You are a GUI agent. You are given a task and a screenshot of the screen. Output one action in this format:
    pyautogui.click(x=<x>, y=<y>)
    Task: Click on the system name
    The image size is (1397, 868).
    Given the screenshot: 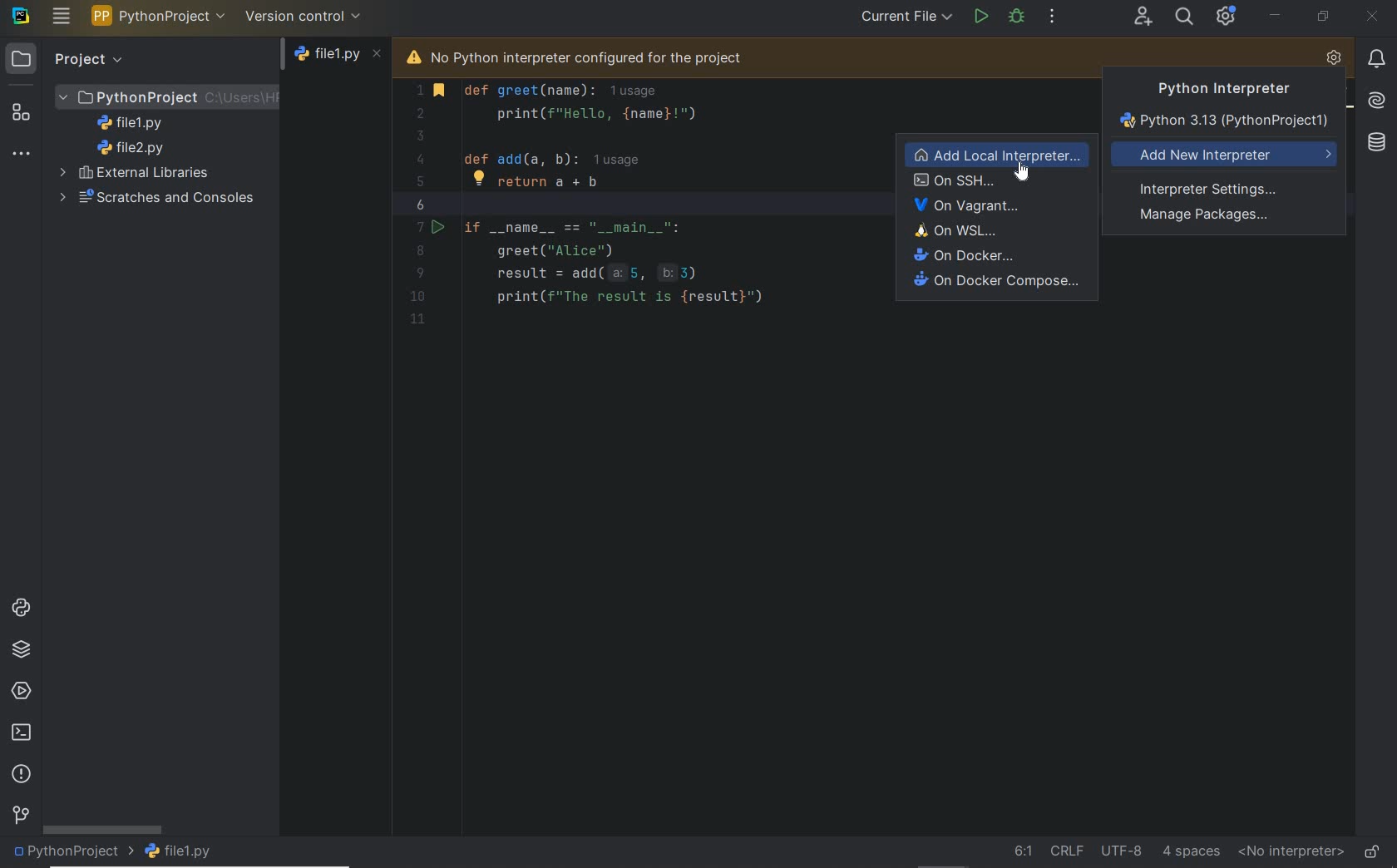 What is the action you would take?
    pyautogui.click(x=21, y=16)
    